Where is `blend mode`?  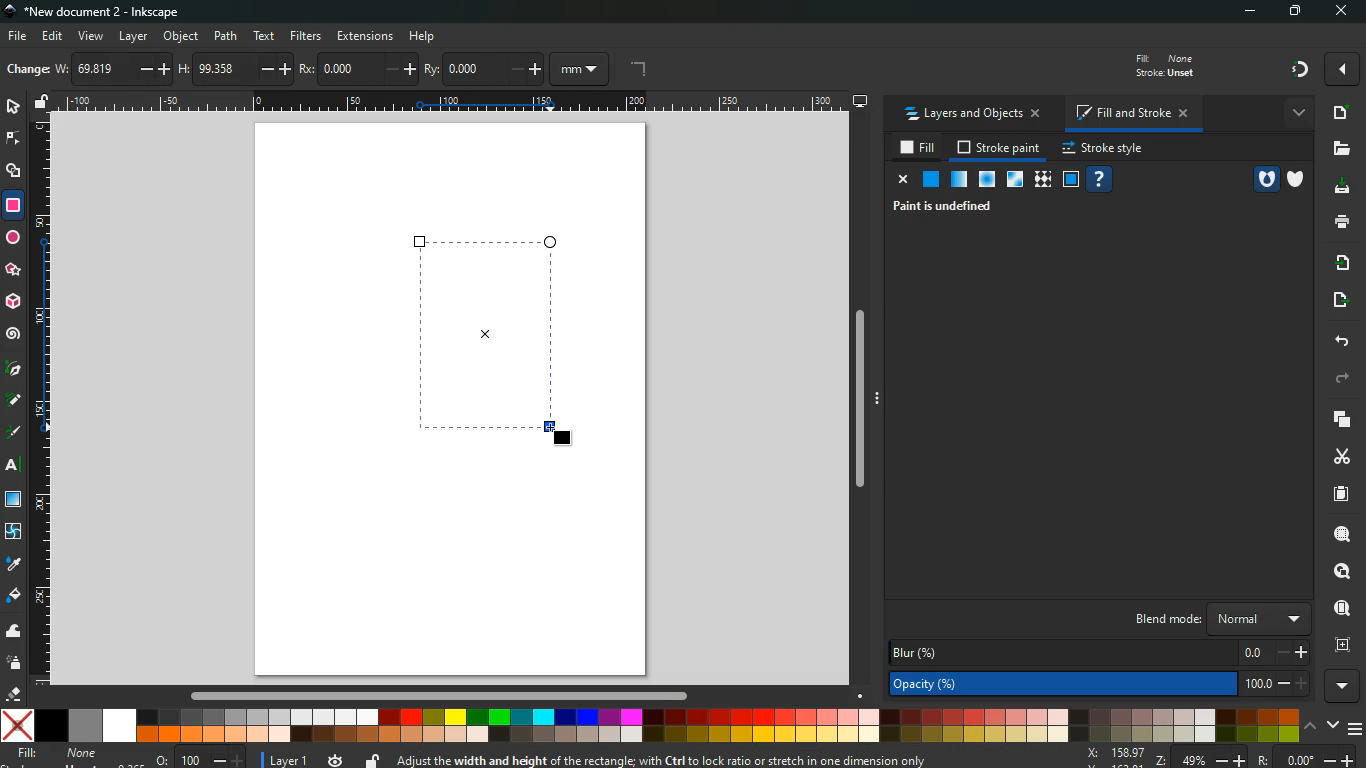
blend mode is located at coordinates (1212, 619).